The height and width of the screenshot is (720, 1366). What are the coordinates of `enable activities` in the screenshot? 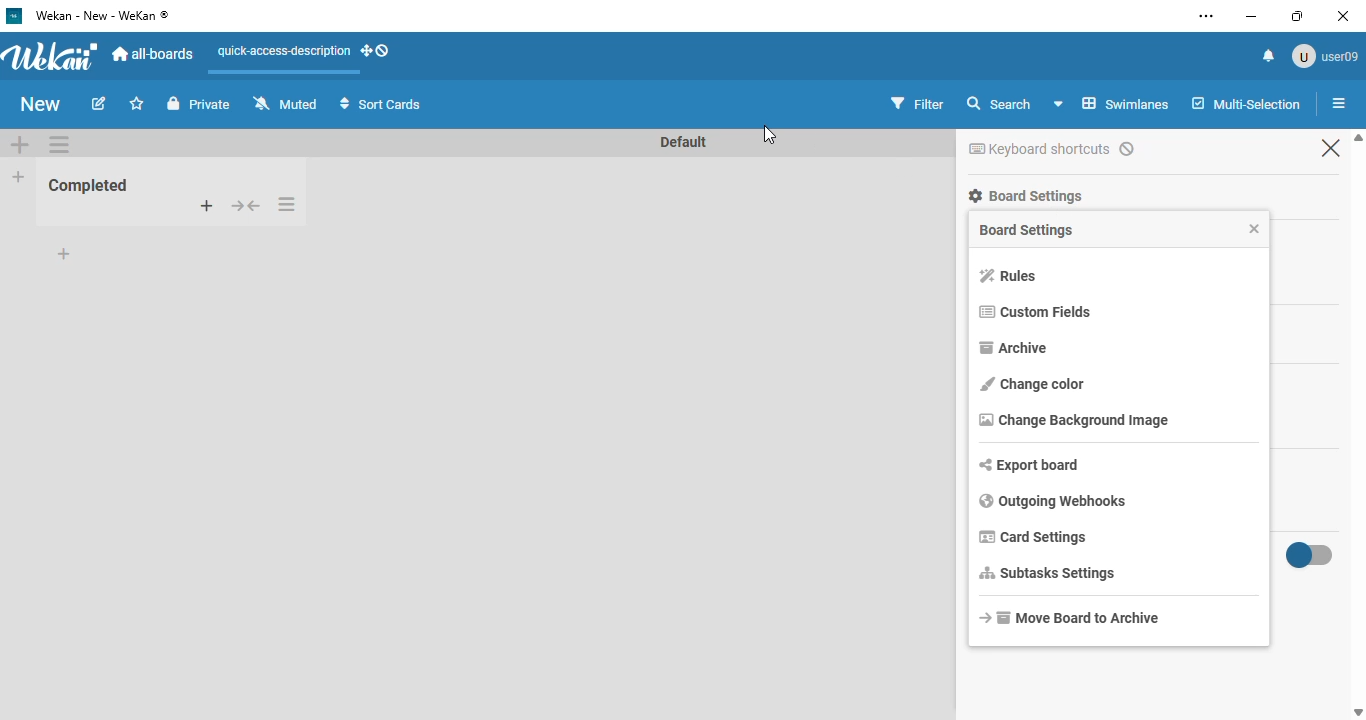 It's located at (1310, 555).